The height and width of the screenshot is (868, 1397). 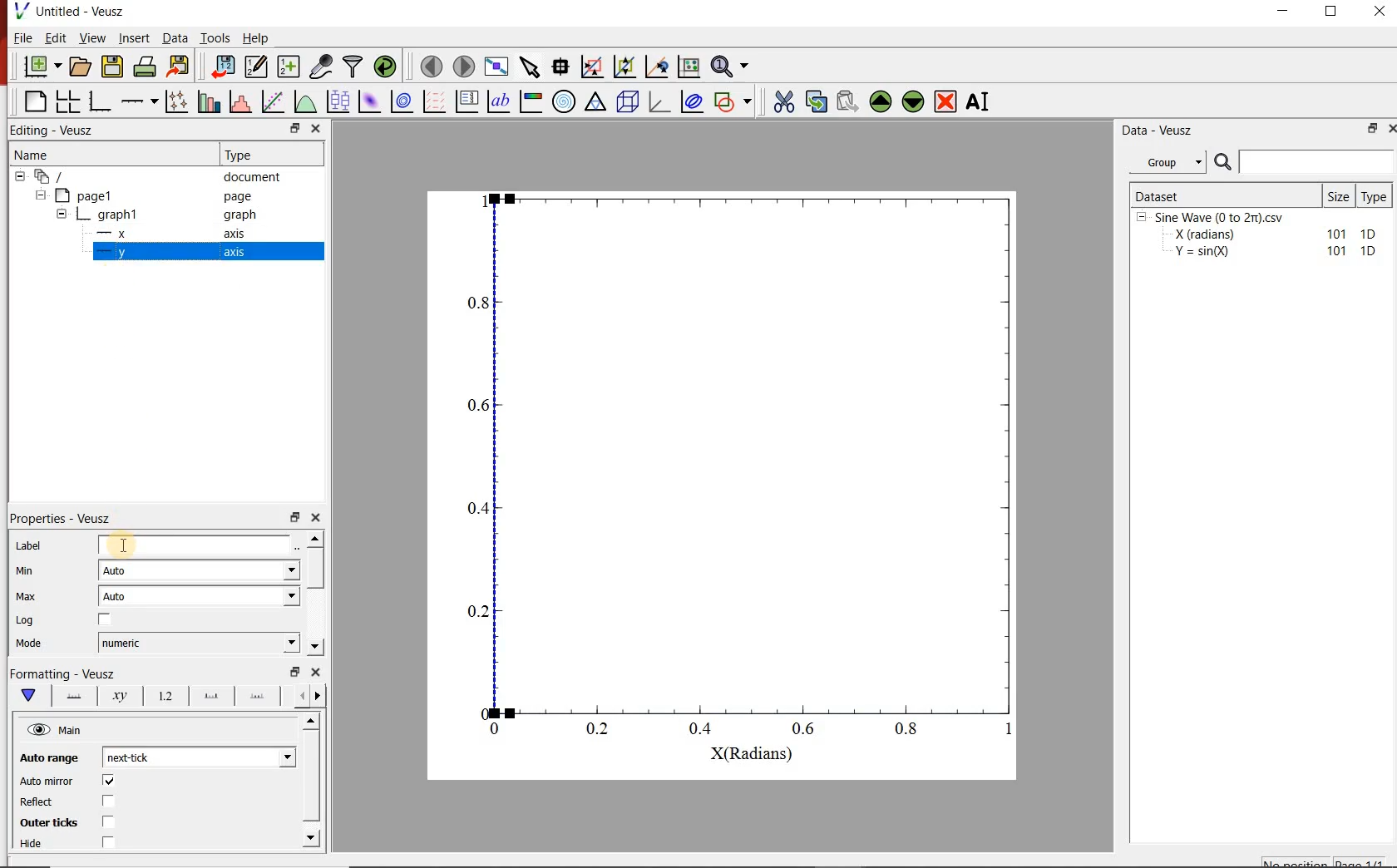 I want to click on cut, so click(x=784, y=100).